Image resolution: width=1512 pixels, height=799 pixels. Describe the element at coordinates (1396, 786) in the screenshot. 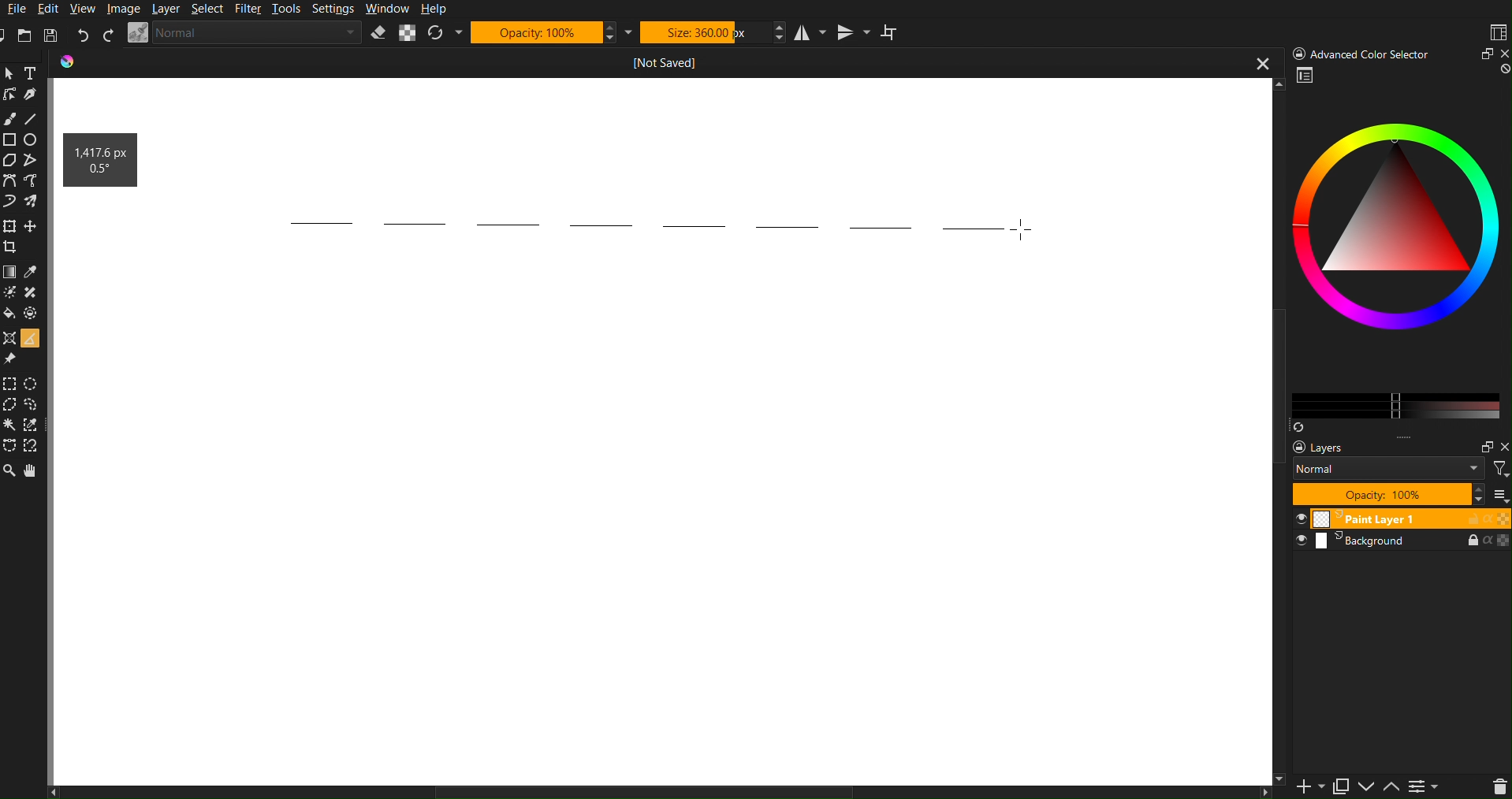

I see `Up` at that location.